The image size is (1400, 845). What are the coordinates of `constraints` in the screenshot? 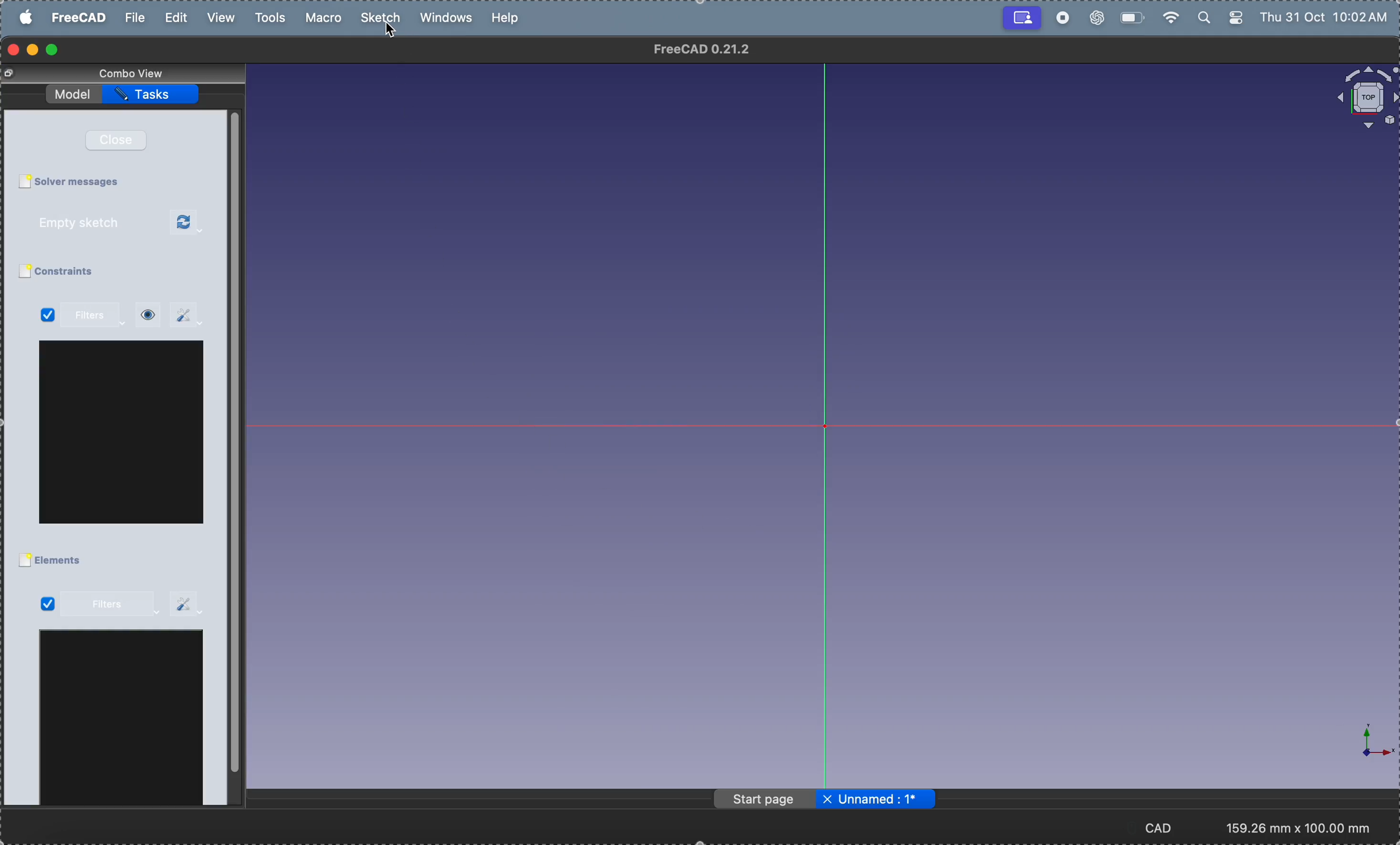 It's located at (79, 272).